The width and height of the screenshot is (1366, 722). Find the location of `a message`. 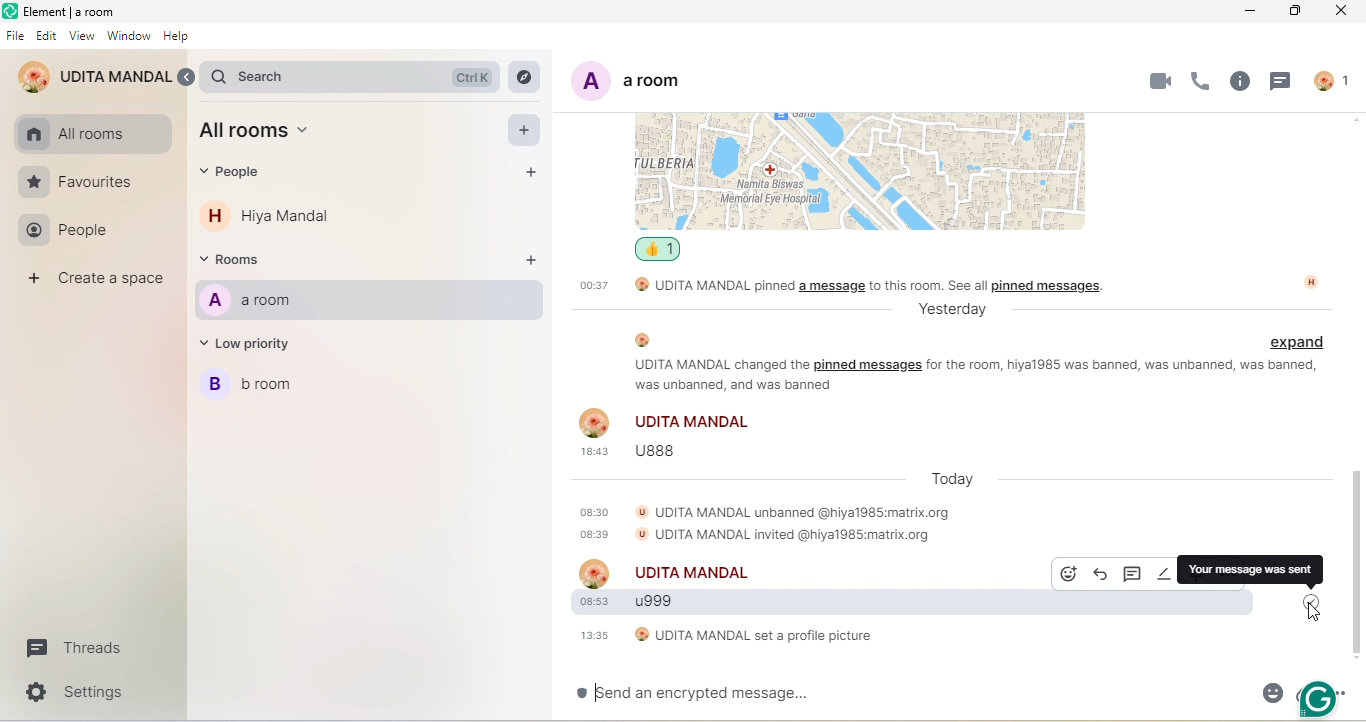

a message is located at coordinates (833, 287).